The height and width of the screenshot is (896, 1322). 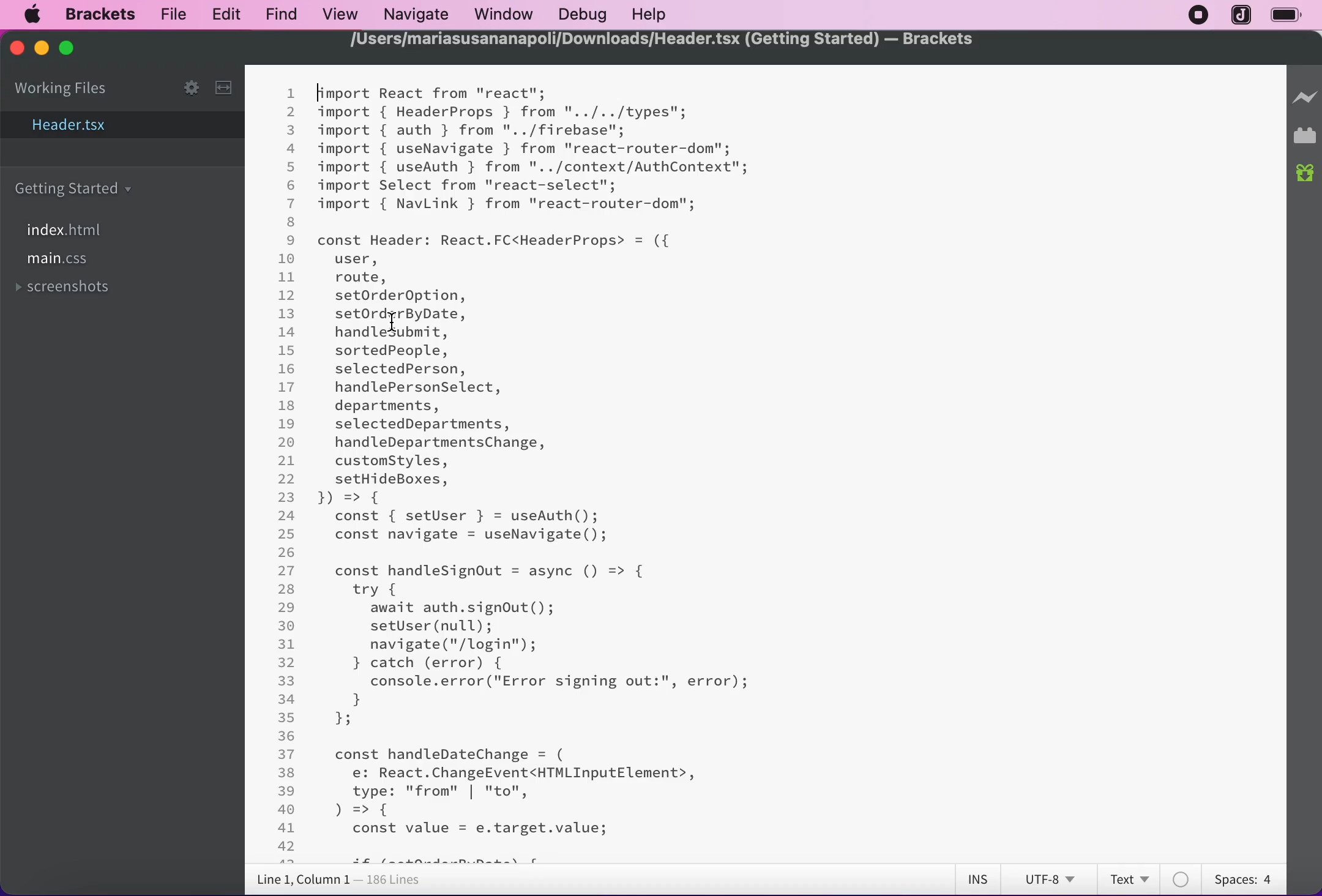 What do you see at coordinates (1194, 16) in the screenshot?
I see `recording stopped` at bounding box center [1194, 16].